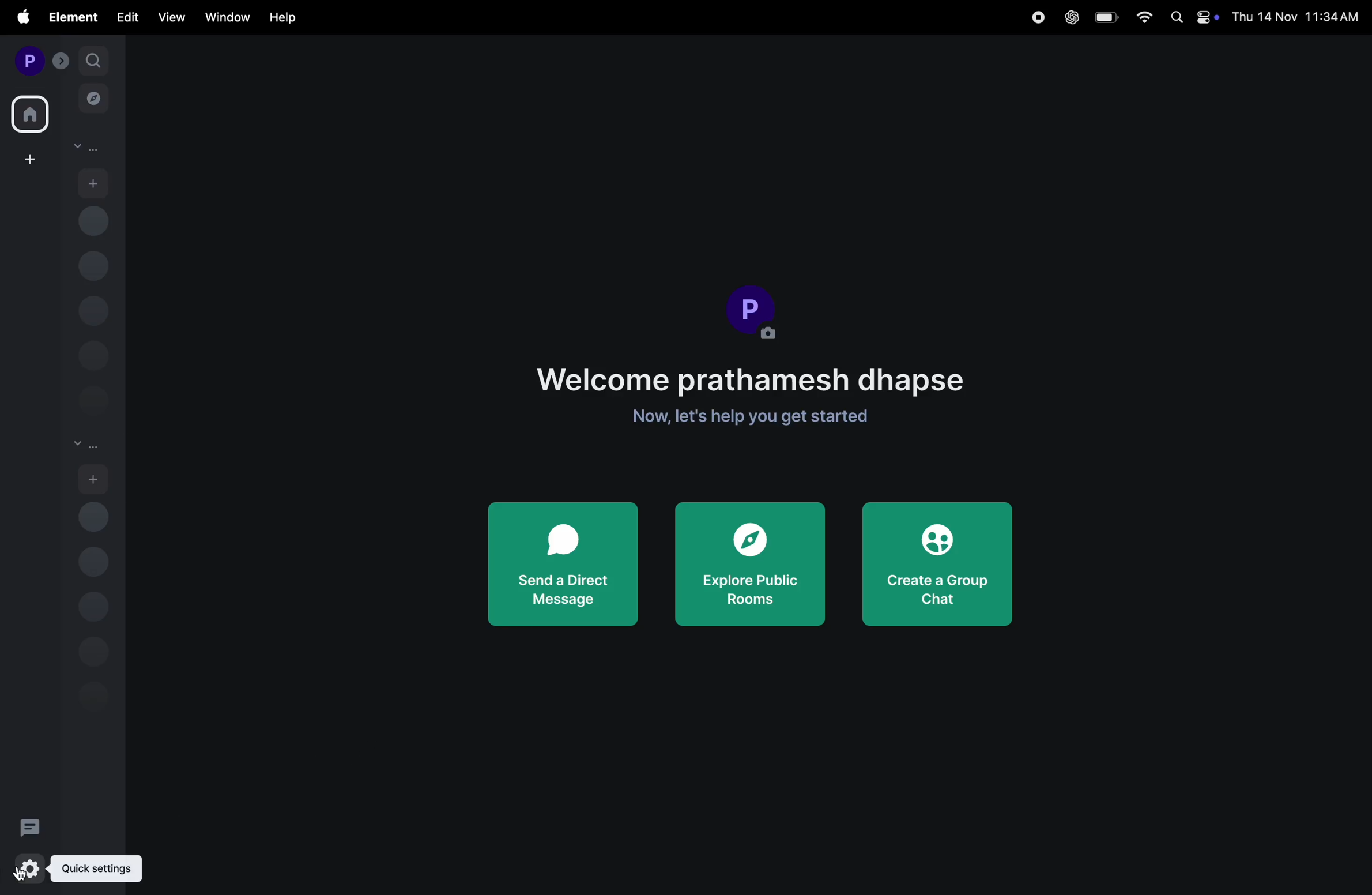 The width and height of the screenshot is (1372, 895). I want to click on send direct msg, so click(563, 563).